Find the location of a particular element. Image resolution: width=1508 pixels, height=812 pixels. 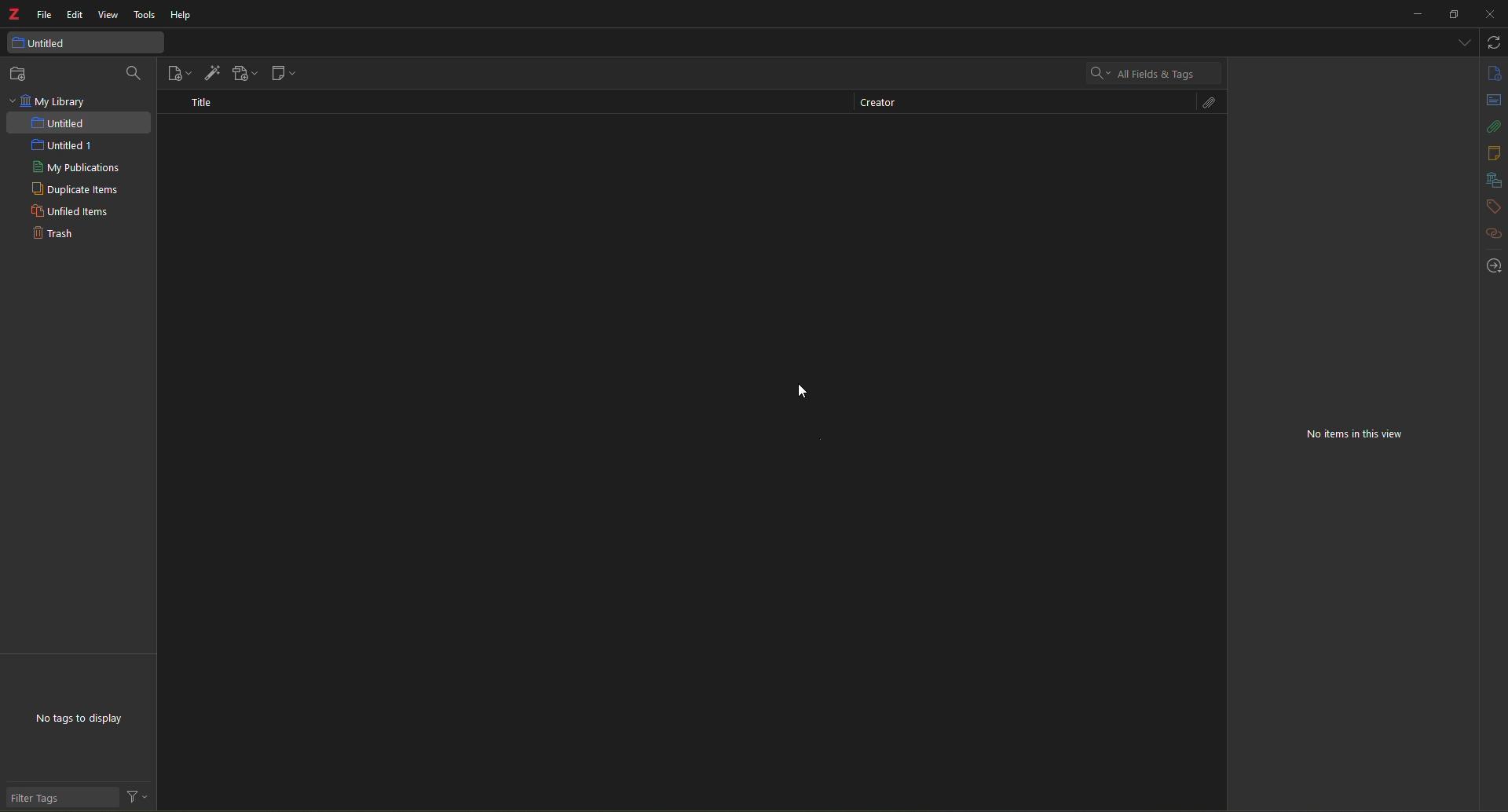

tabs is located at coordinates (1460, 41).